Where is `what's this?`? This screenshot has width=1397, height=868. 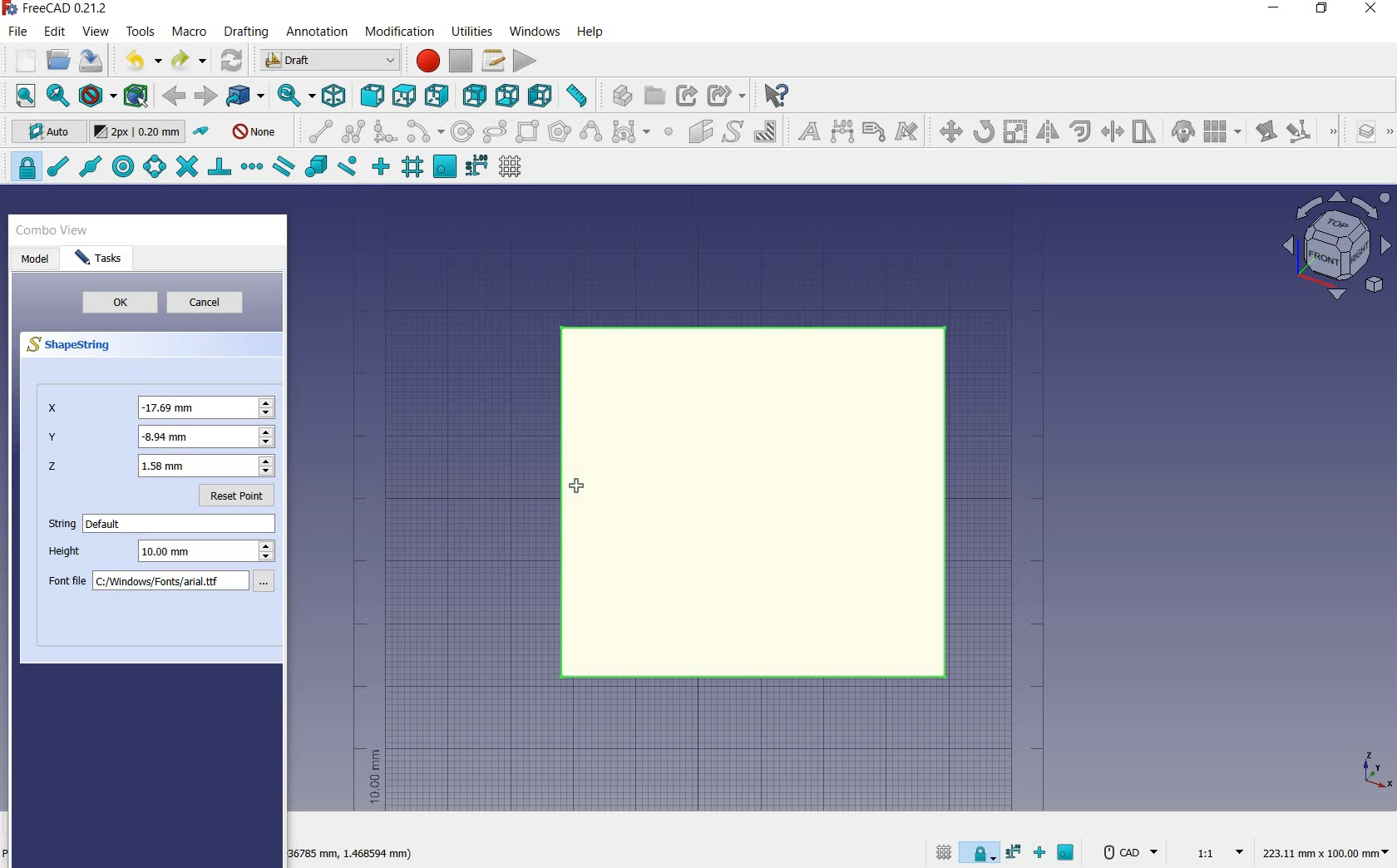 what's this? is located at coordinates (775, 96).